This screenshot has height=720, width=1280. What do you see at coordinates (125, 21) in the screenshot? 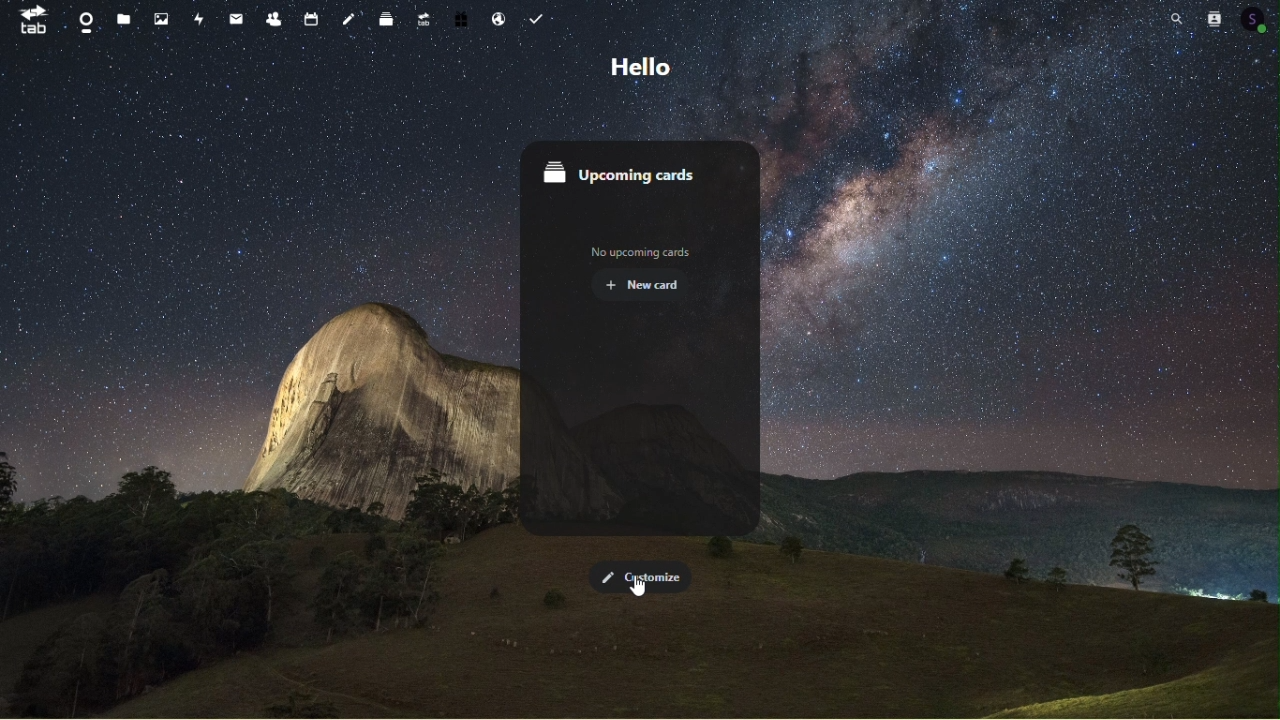
I see `Files` at bounding box center [125, 21].